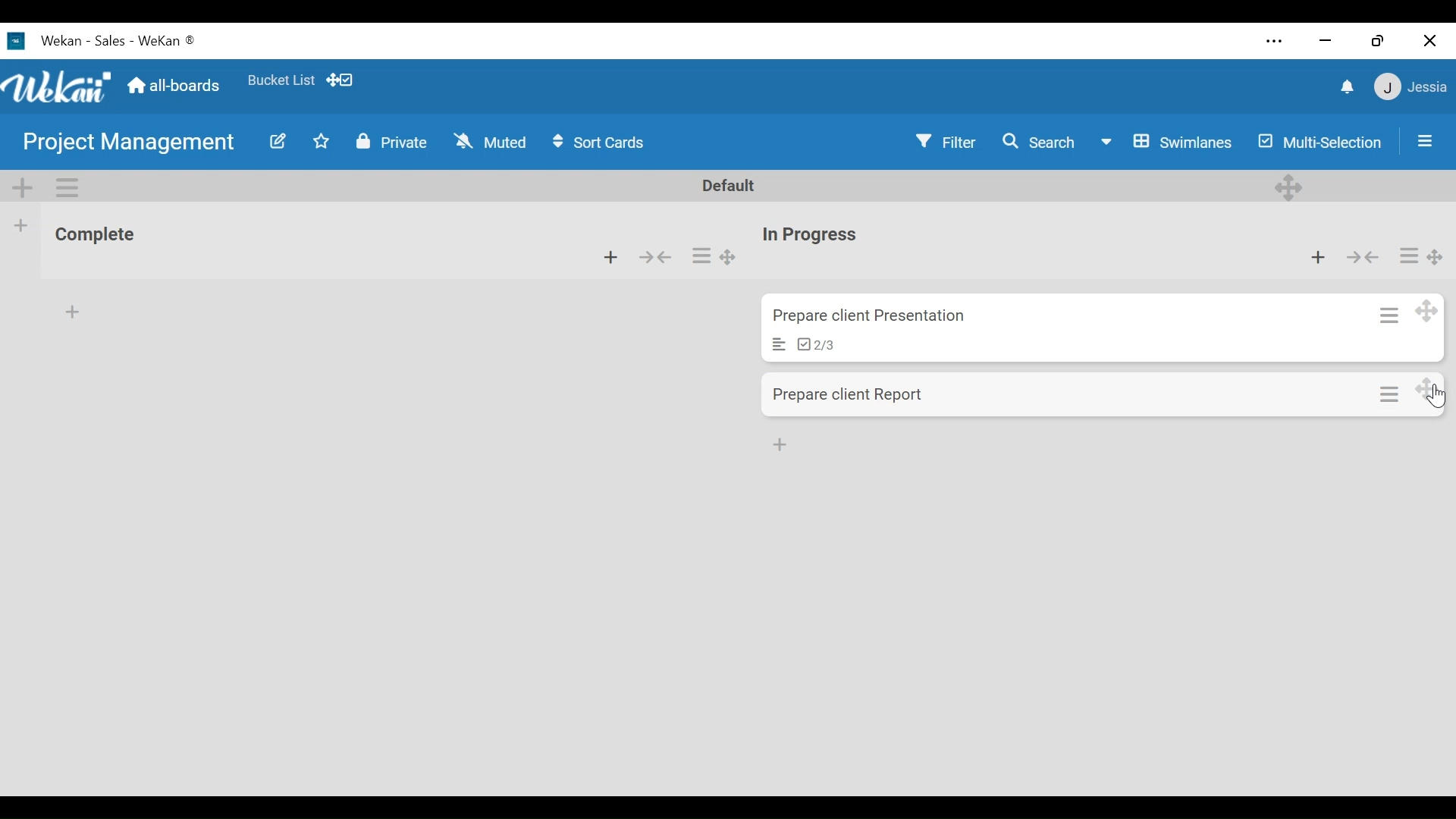 Image resolution: width=1456 pixels, height=819 pixels. Describe the element at coordinates (486, 140) in the screenshot. I see `Muted` at that location.